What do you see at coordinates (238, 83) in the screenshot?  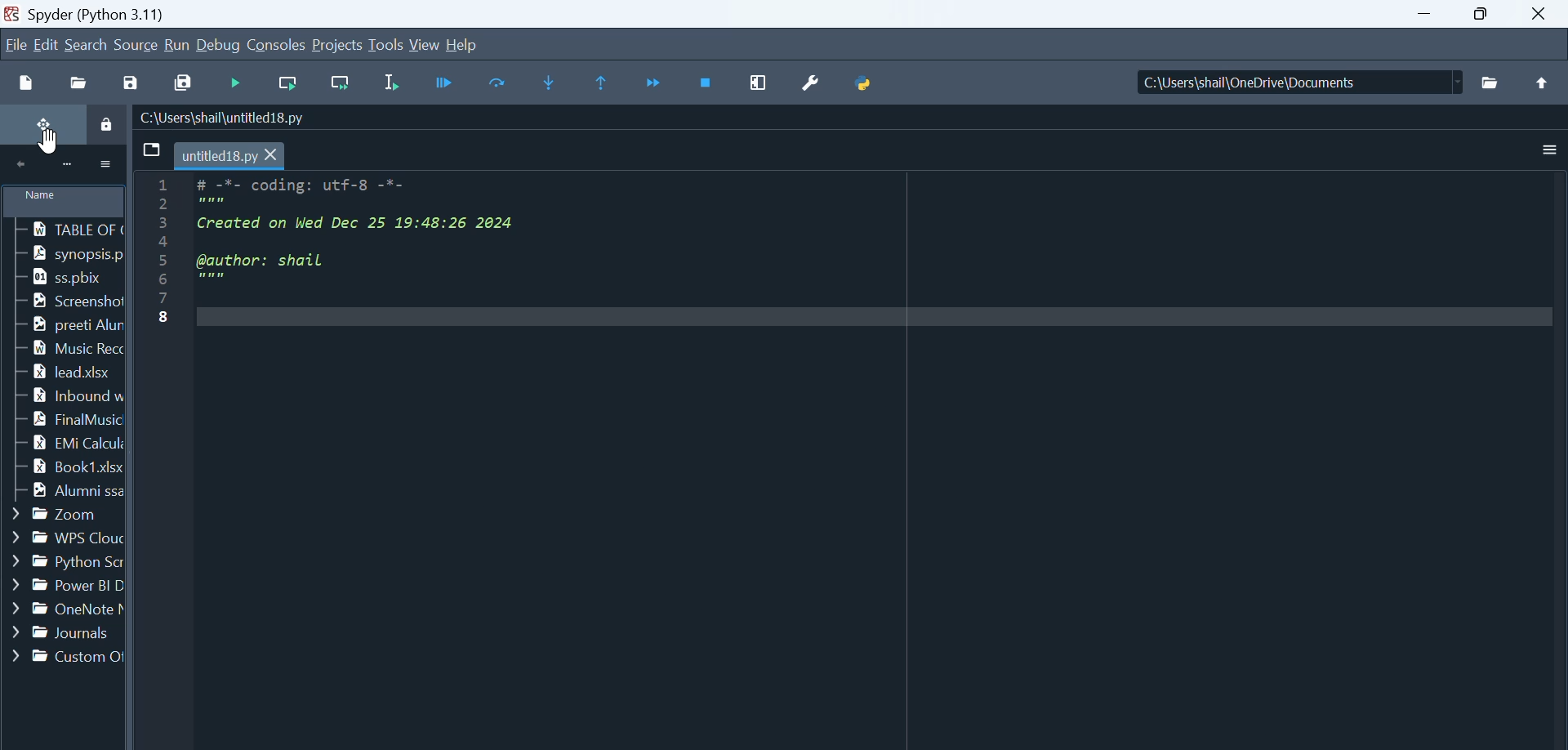 I see `Run file` at bounding box center [238, 83].